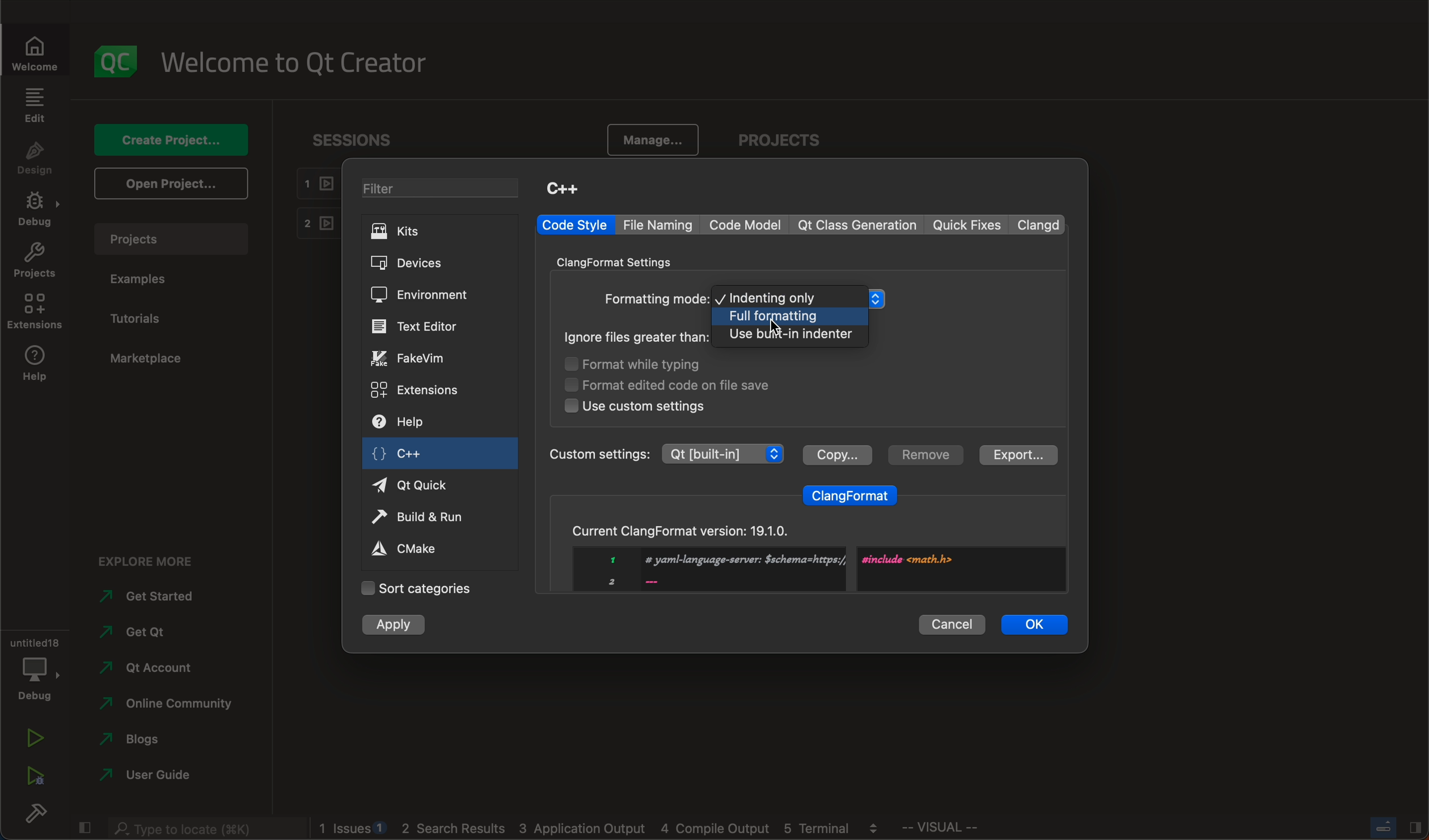 Image resolution: width=1429 pixels, height=840 pixels. Describe the element at coordinates (166, 706) in the screenshot. I see `community` at that location.